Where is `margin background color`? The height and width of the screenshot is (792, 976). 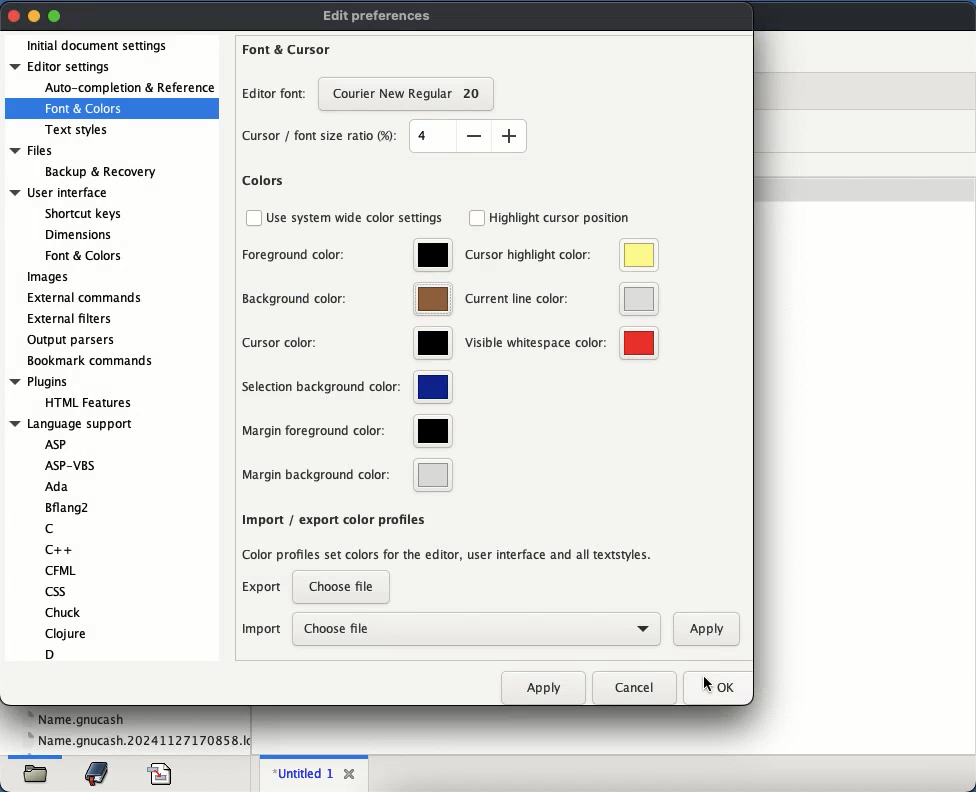 margin background color is located at coordinates (347, 478).